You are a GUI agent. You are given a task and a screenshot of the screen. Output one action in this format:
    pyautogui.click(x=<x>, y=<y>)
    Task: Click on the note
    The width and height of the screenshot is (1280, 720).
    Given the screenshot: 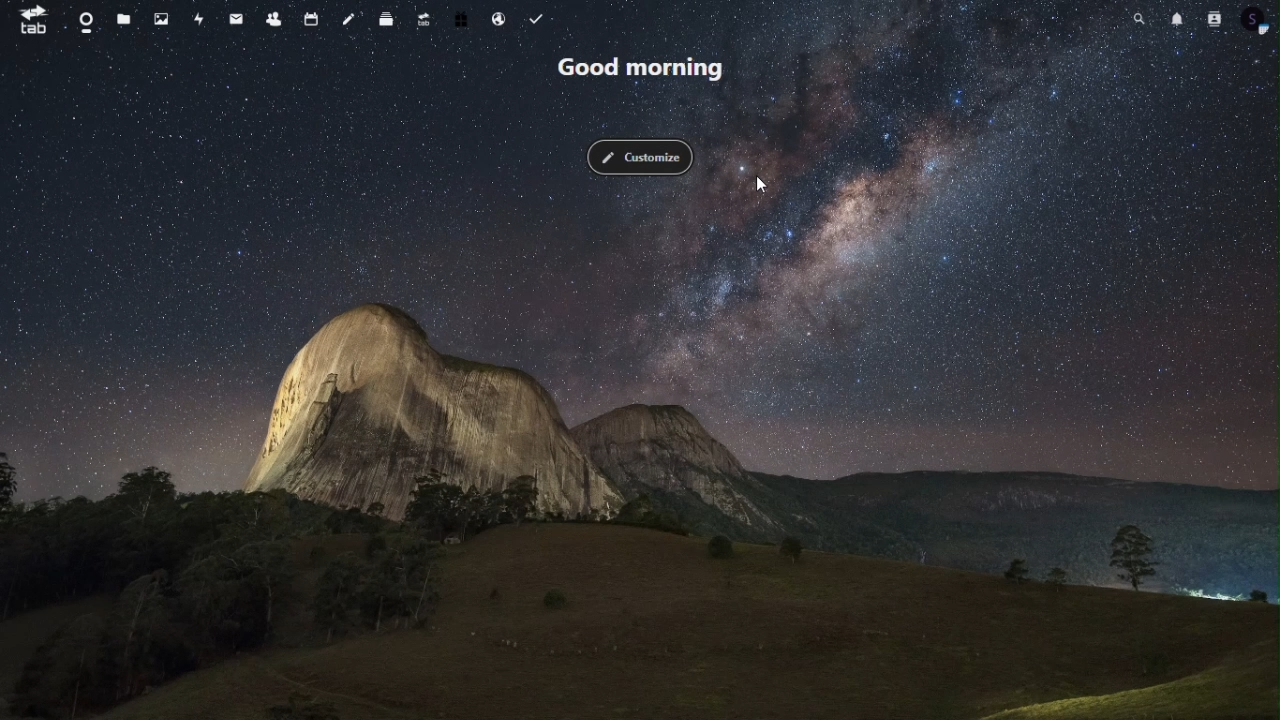 What is the action you would take?
    pyautogui.click(x=349, y=20)
    